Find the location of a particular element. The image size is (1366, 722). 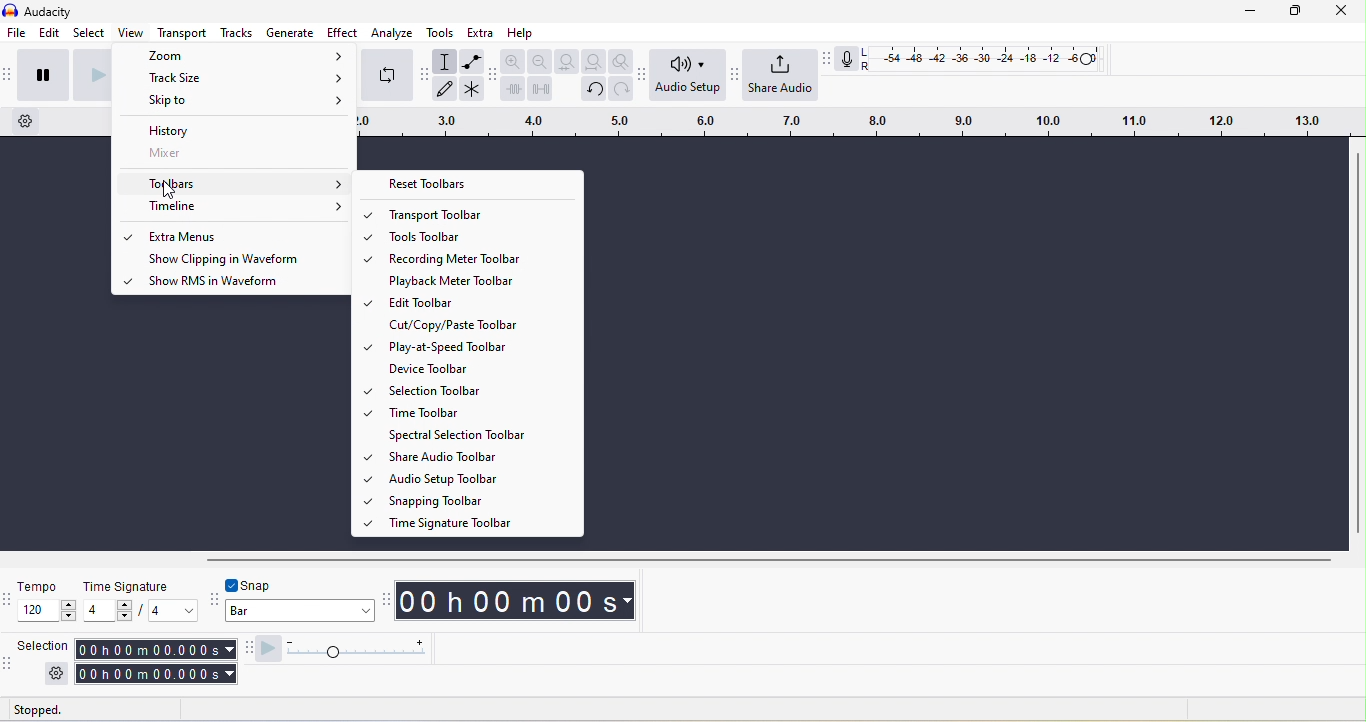

Share audio toolbar is located at coordinates (478, 456).